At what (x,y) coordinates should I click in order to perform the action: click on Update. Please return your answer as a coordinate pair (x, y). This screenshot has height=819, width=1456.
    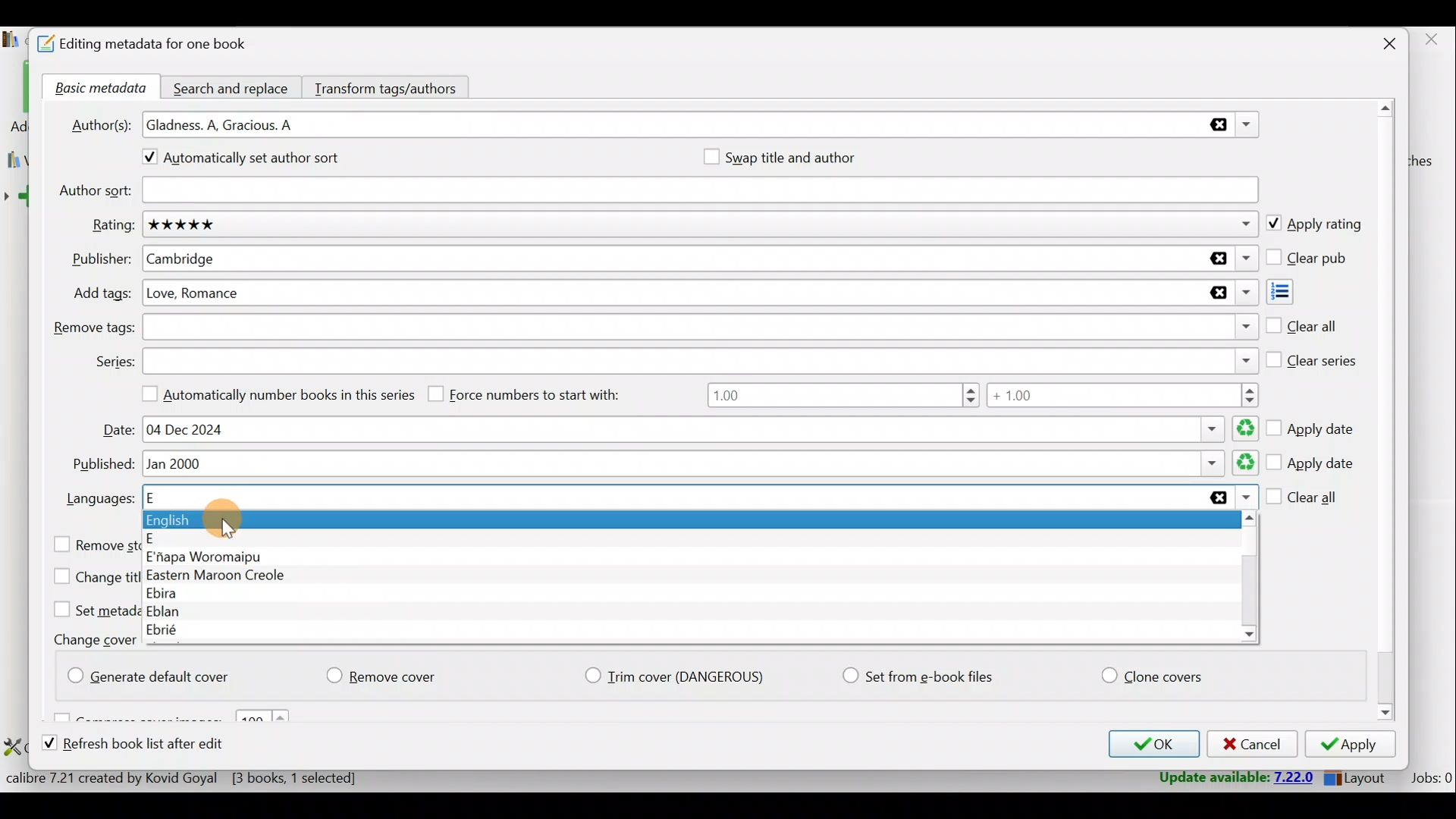
    Looking at the image, I should click on (1234, 778).